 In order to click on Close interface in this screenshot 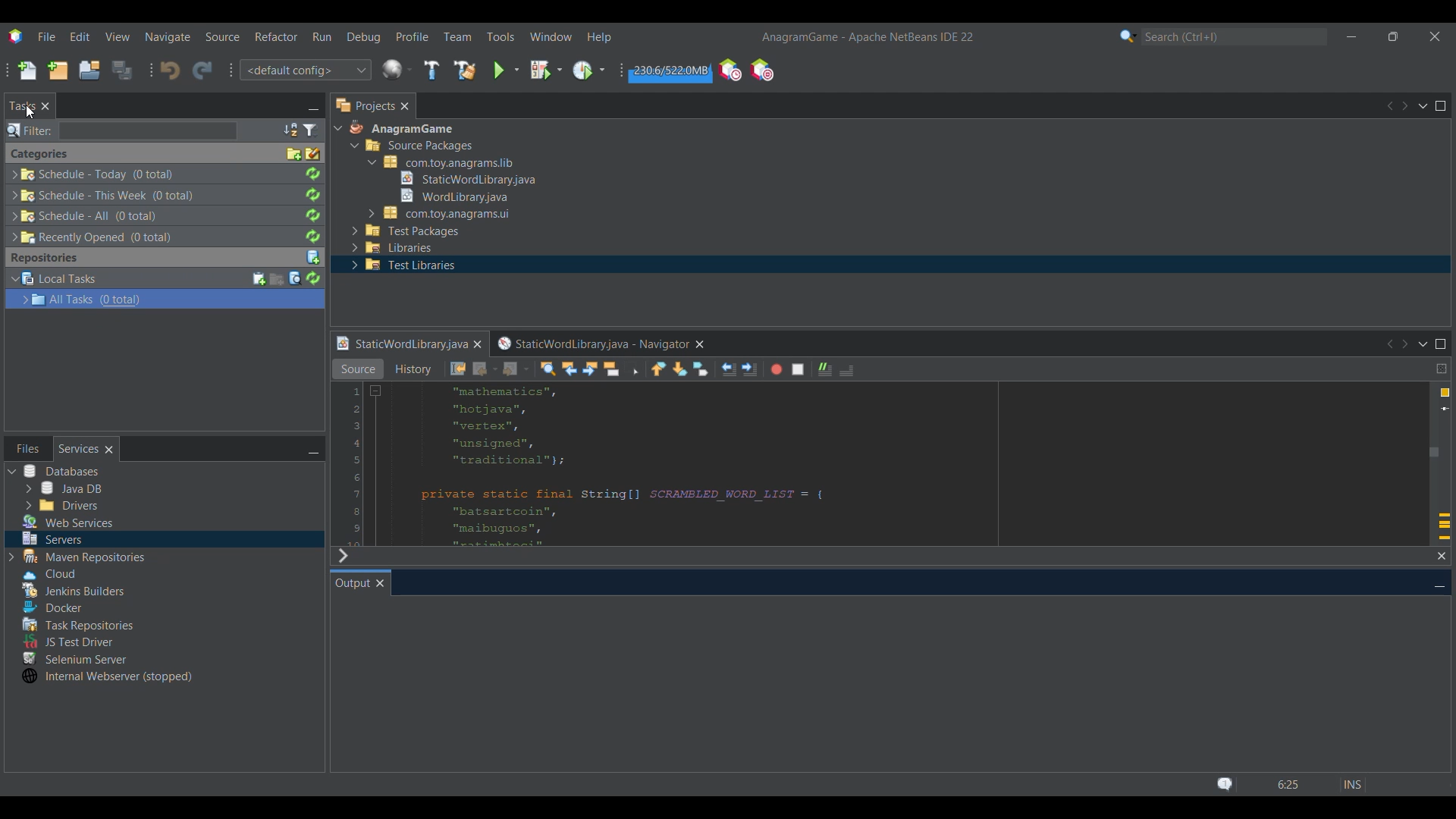, I will do `click(1435, 36)`.